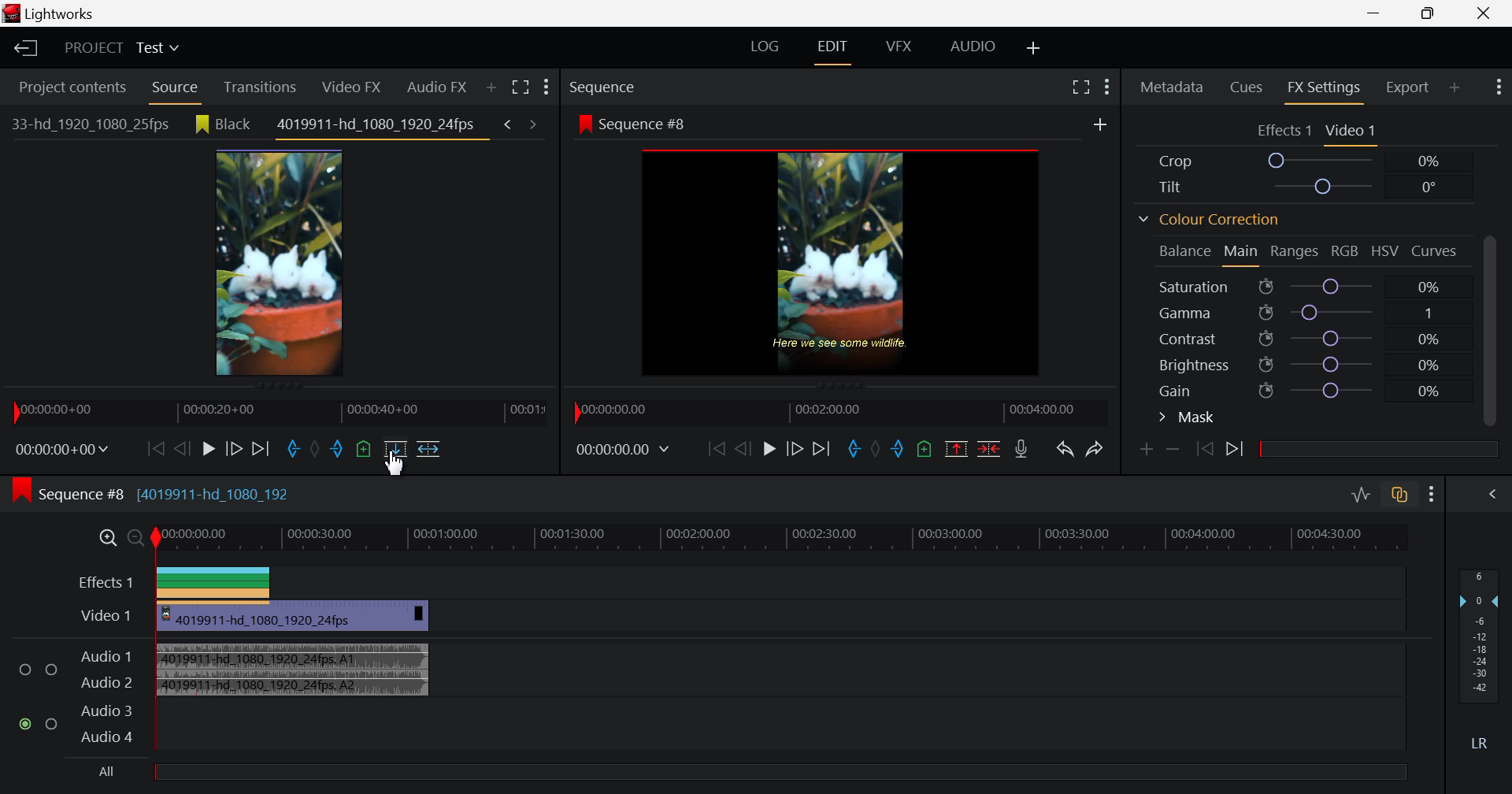 The width and height of the screenshot is (1512, 794). Describe the element at coordinates (396, 463) in the screenshot. I see `Cursor` at that location.